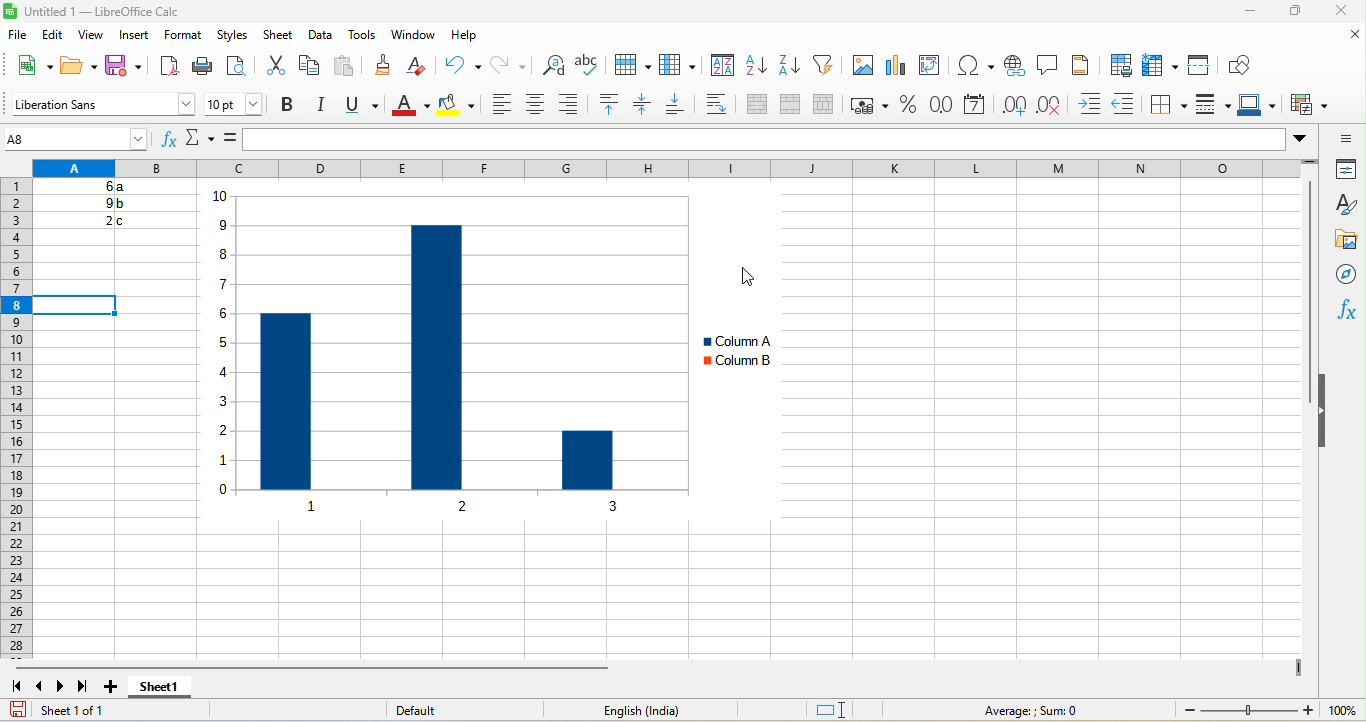 The image size is (1366, 722). I want to click on column b, so click(737, 362).